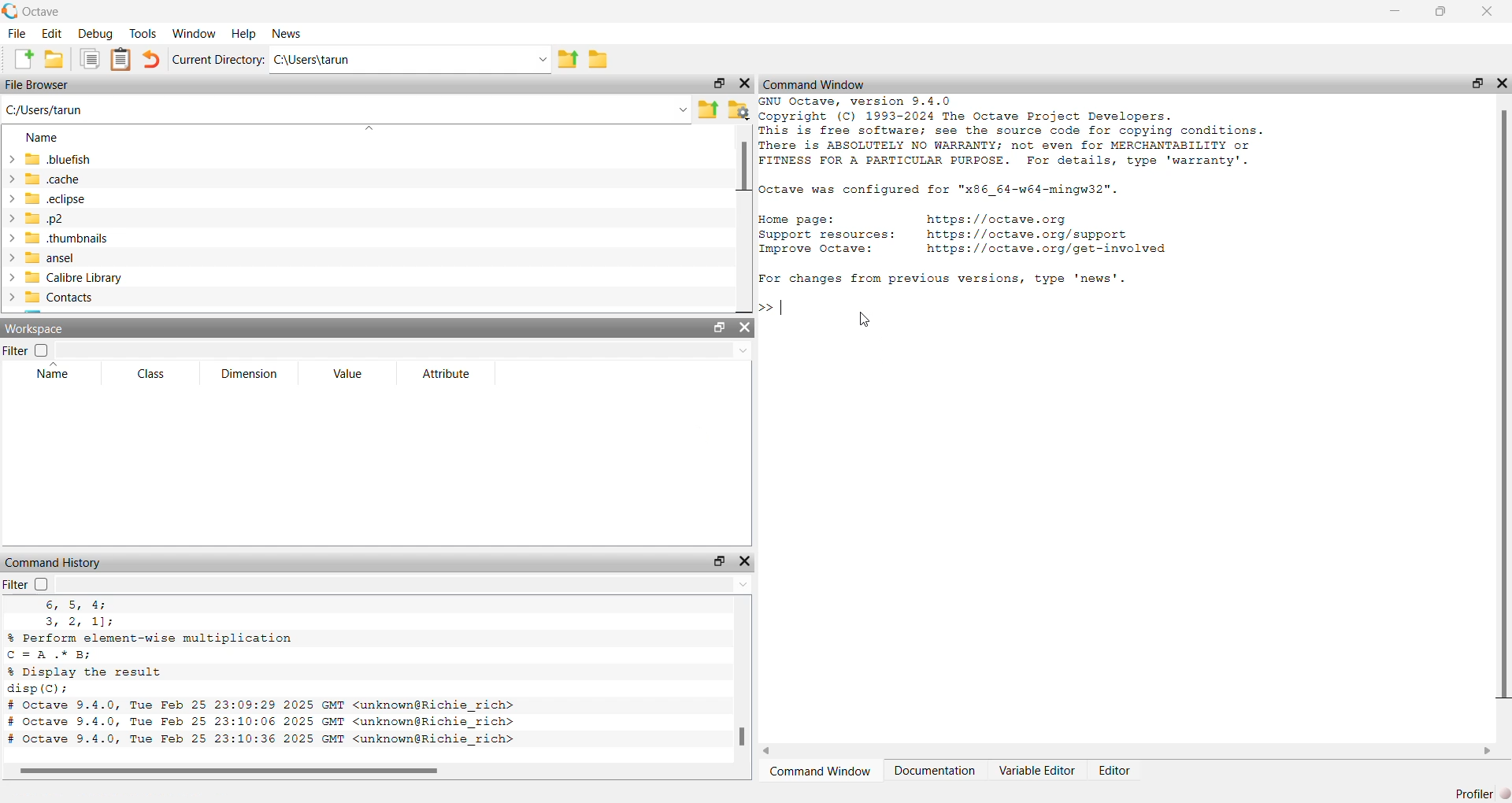  I want to click on Scroll, so click(1504, 426).